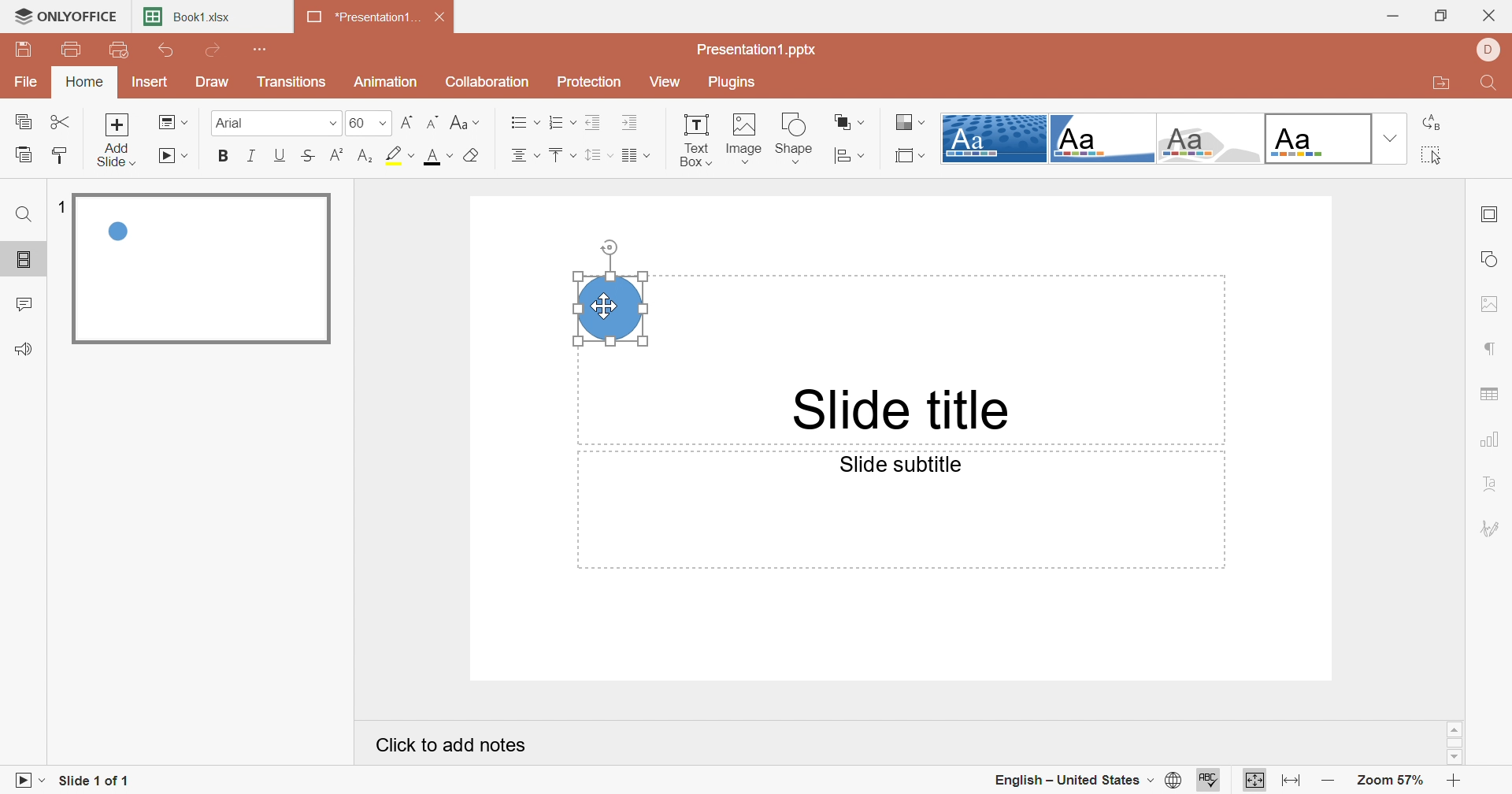 The image size is (1512, 794). Describe the element at coordinates (487, 80) in the screenshot. I see `Collaboration` at that location.